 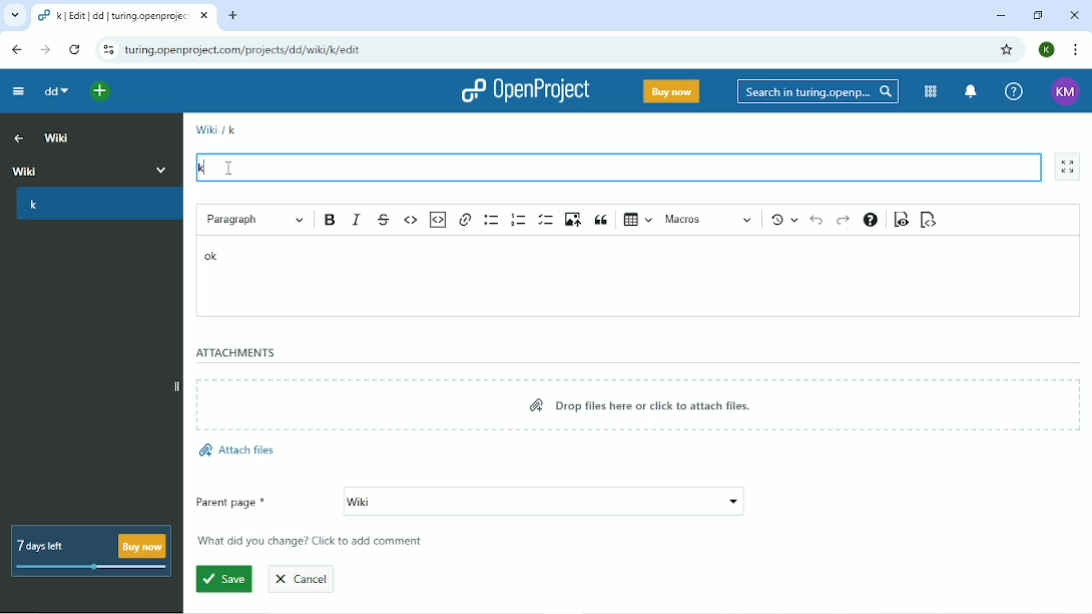 What do you see at coordinates (92, 552) in the screenshot?
I see `7 days left` at bounding box center [92, 552].